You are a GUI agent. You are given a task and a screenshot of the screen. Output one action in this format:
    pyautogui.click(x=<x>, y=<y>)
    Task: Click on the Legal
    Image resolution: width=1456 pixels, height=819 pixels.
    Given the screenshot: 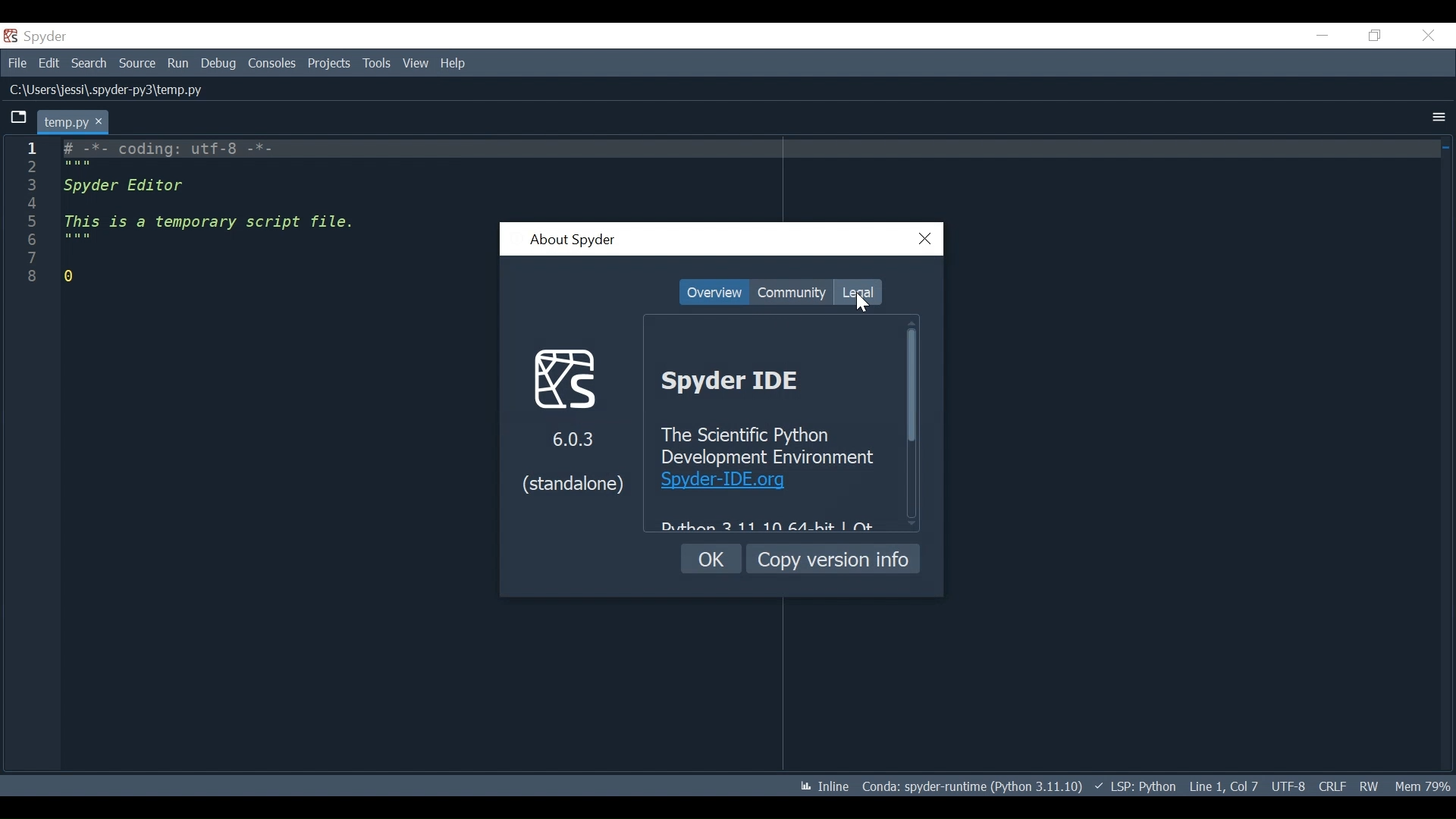 What is the action you would take?
    pyautogui.click(x=856, y=292)
    